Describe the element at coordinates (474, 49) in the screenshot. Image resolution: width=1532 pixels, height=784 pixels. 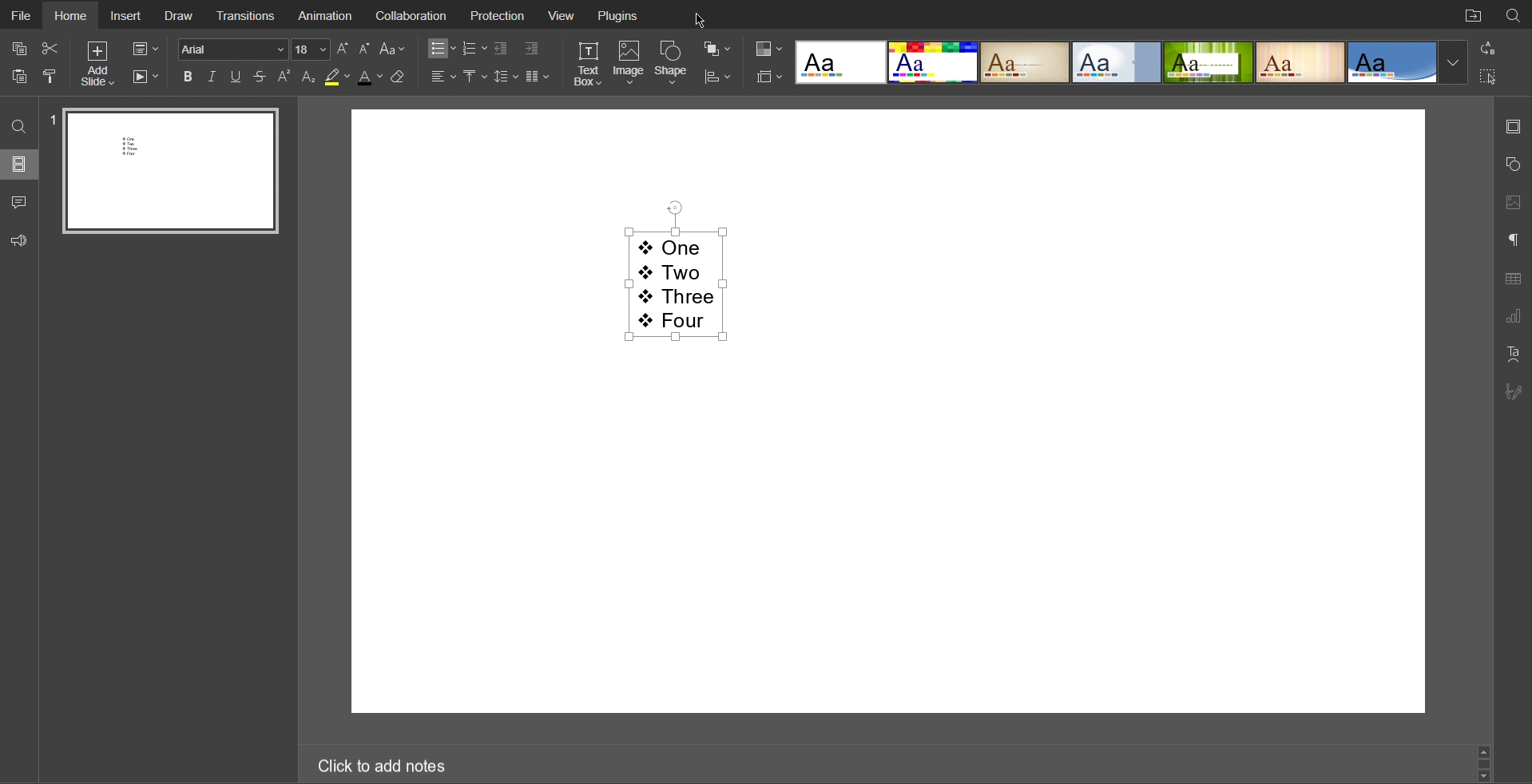
I see `Numbered List` at that location.